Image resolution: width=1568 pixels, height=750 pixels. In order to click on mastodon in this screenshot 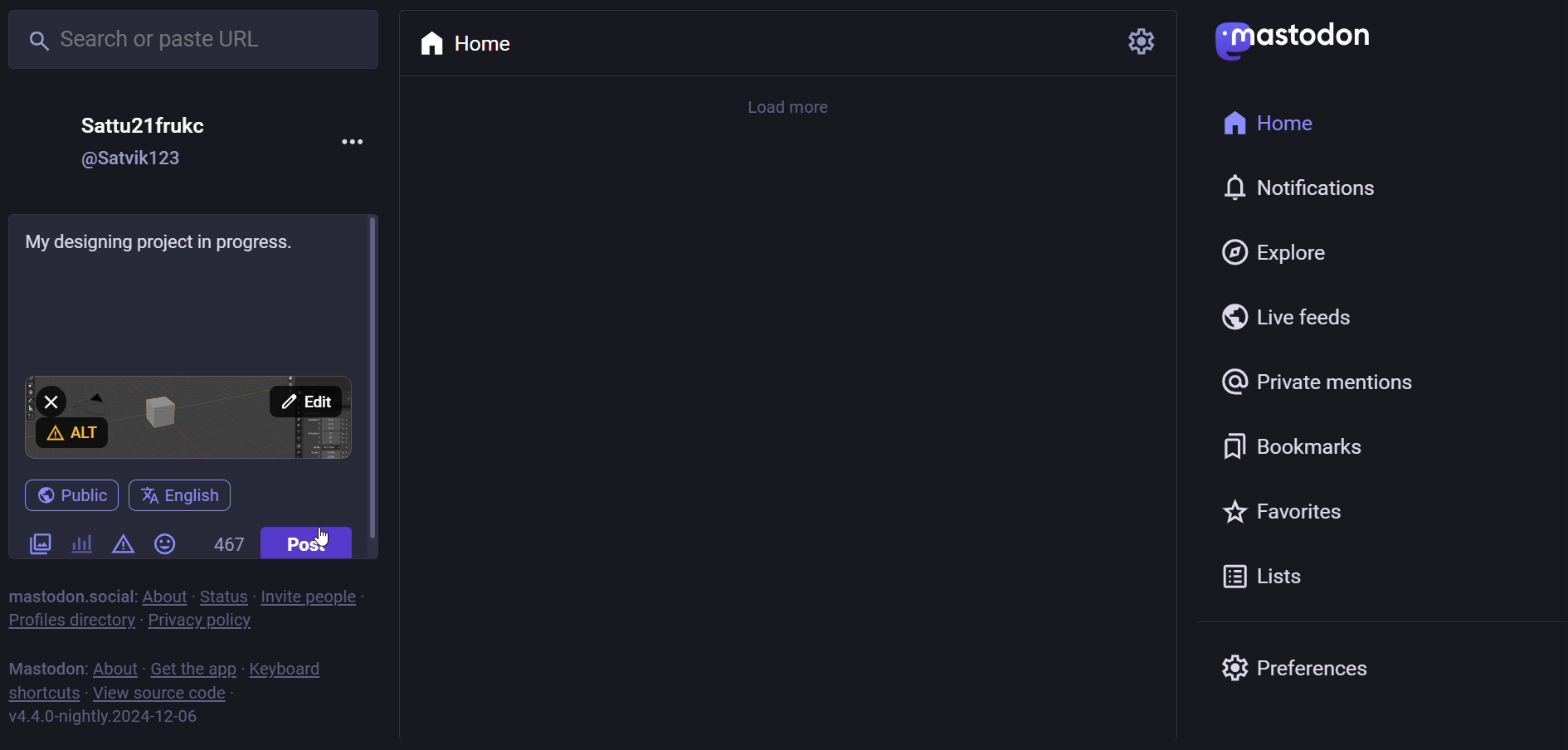, I will do `click(1299, 35)`.